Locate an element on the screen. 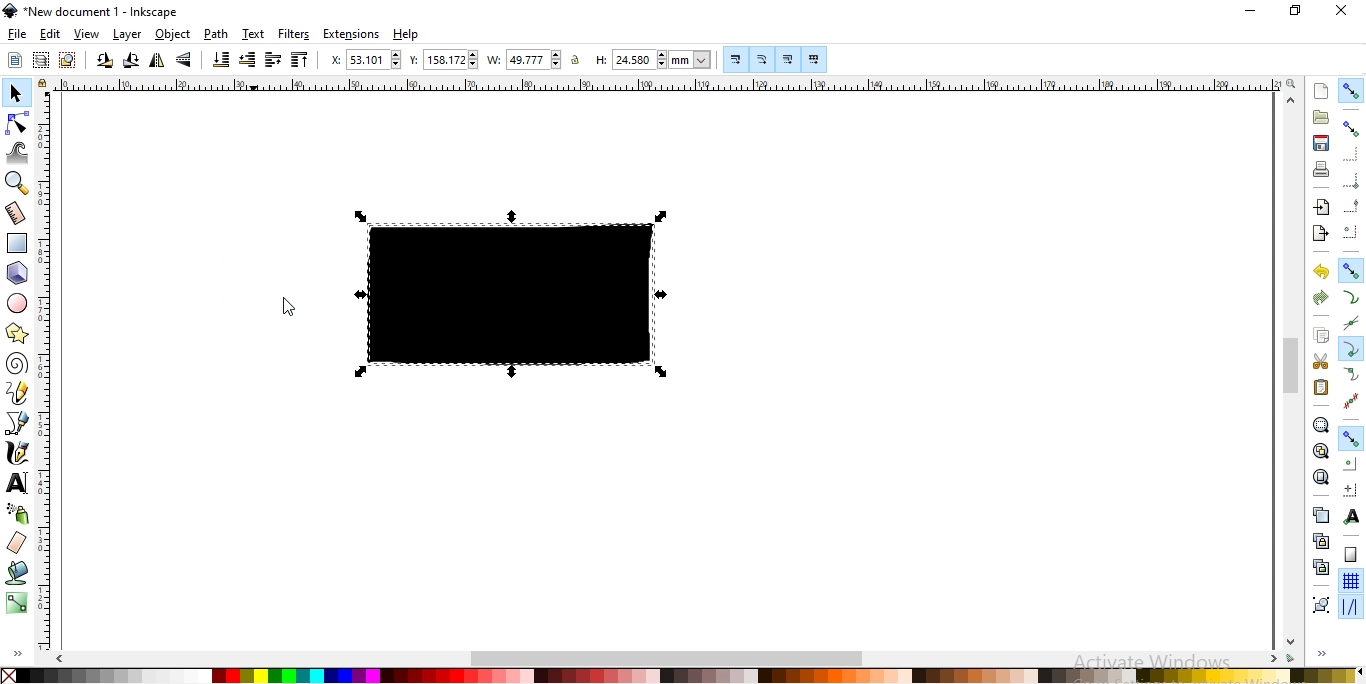  measurement tool is located at coordinates (14, 212).